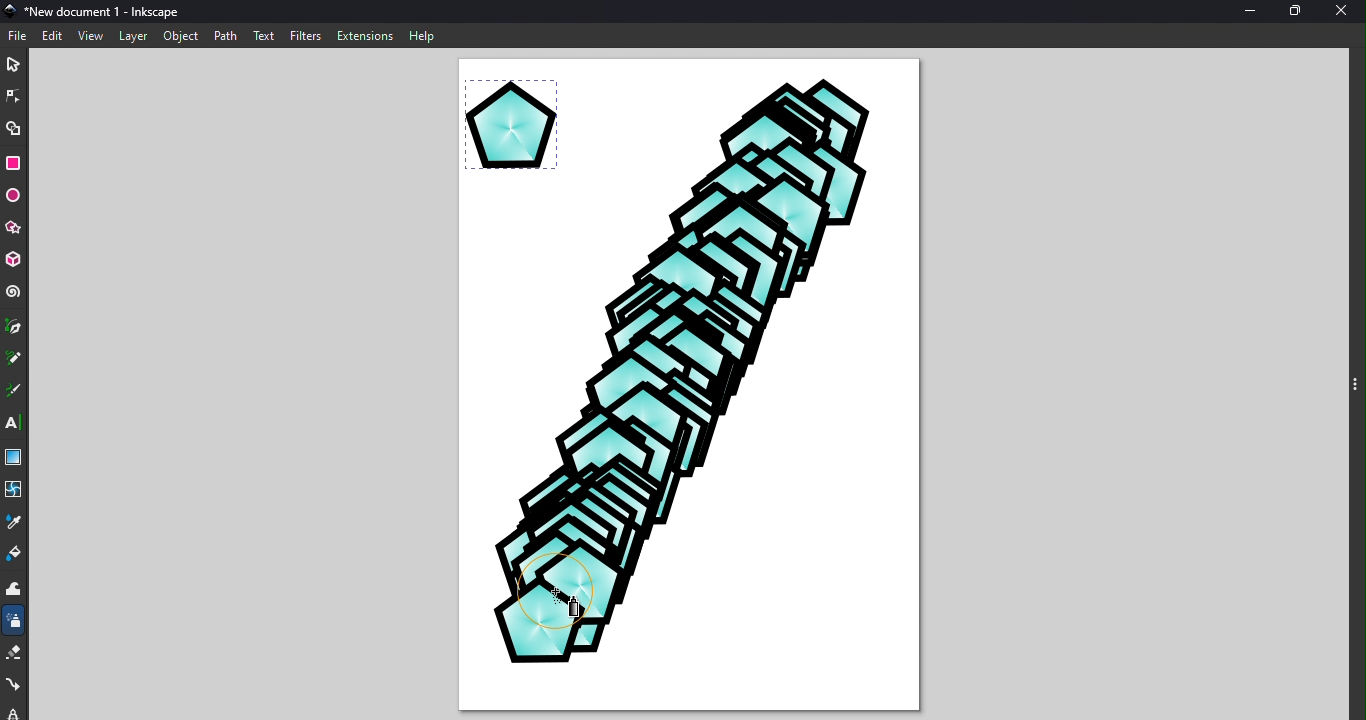  I want to click on Text, so click(265, 34).